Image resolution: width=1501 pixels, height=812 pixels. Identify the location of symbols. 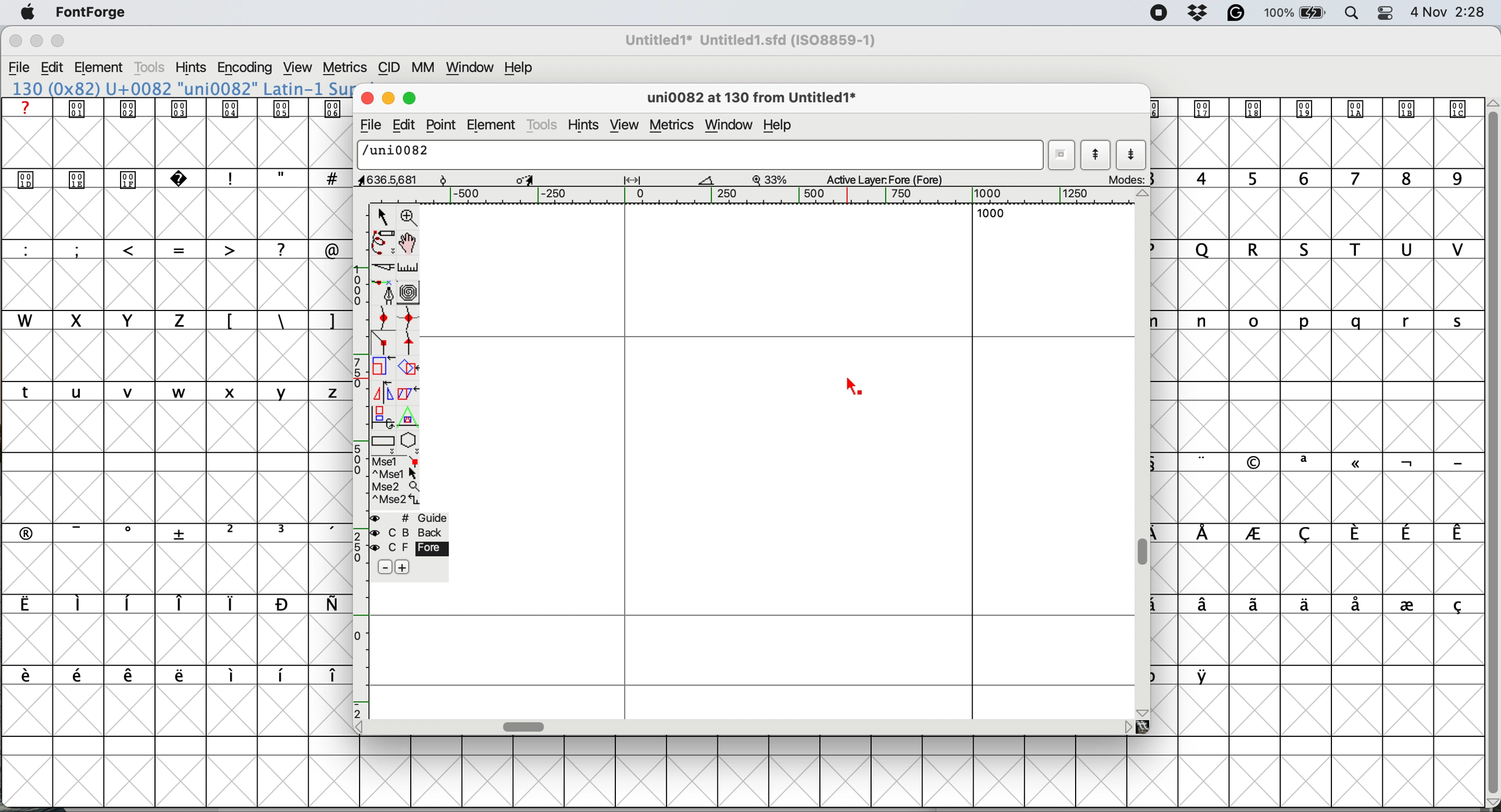
(172, 604).